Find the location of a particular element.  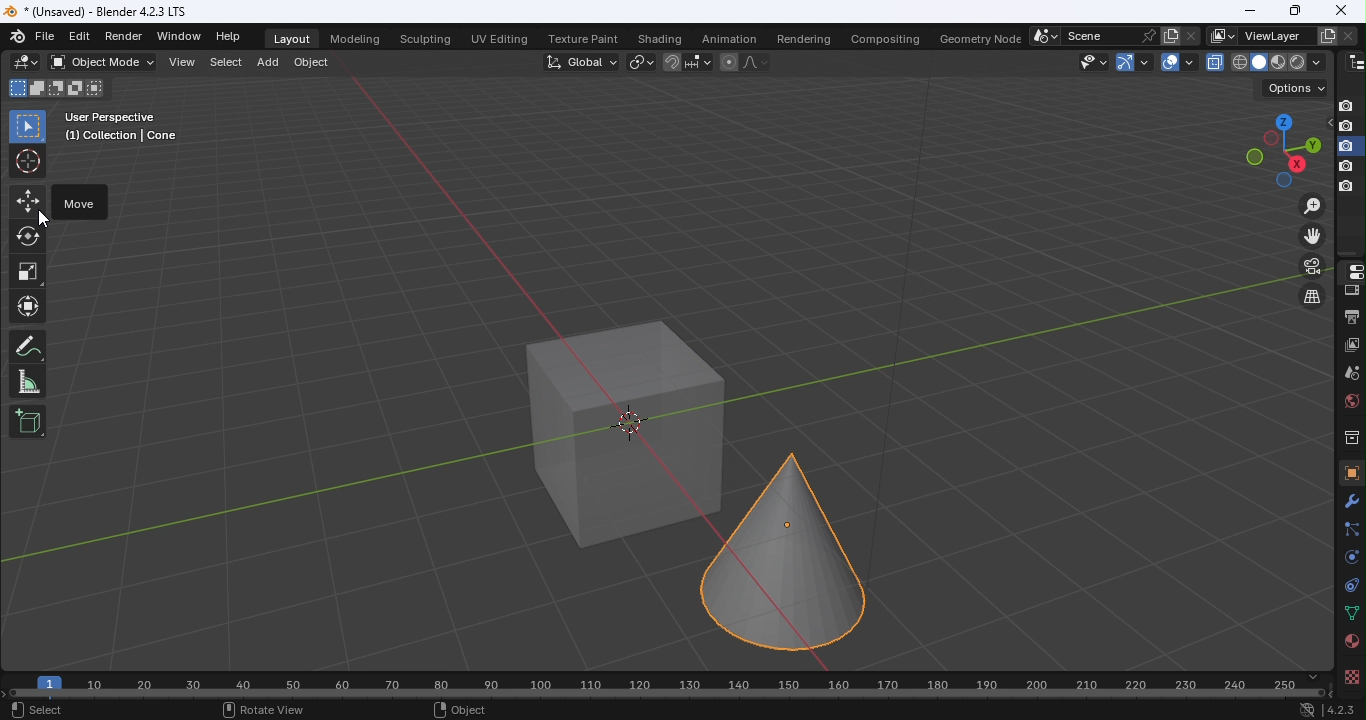

Browse scene to be linked is located at coordinates (1043, 34).